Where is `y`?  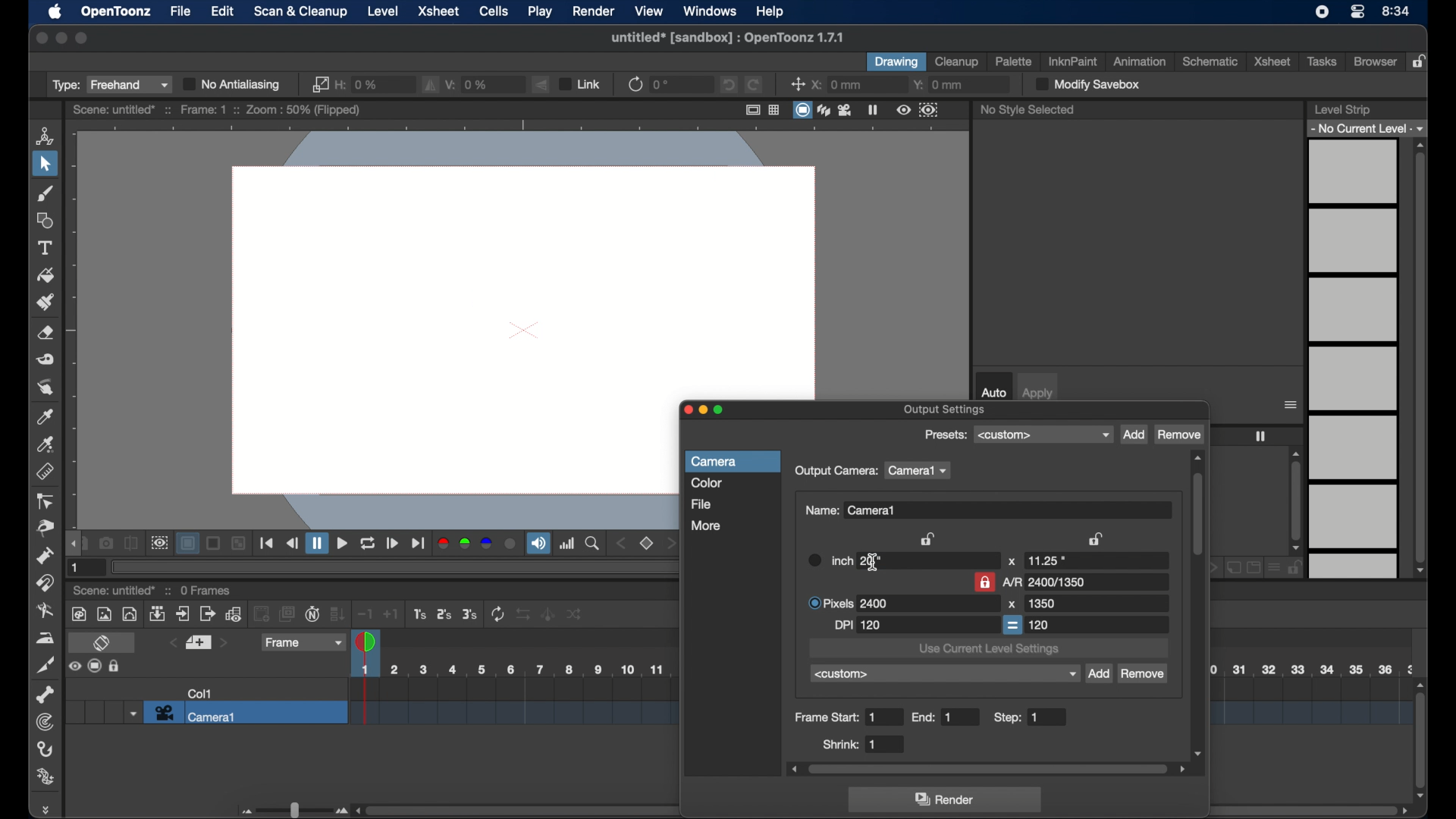
y is located at coordinates (939, 85).